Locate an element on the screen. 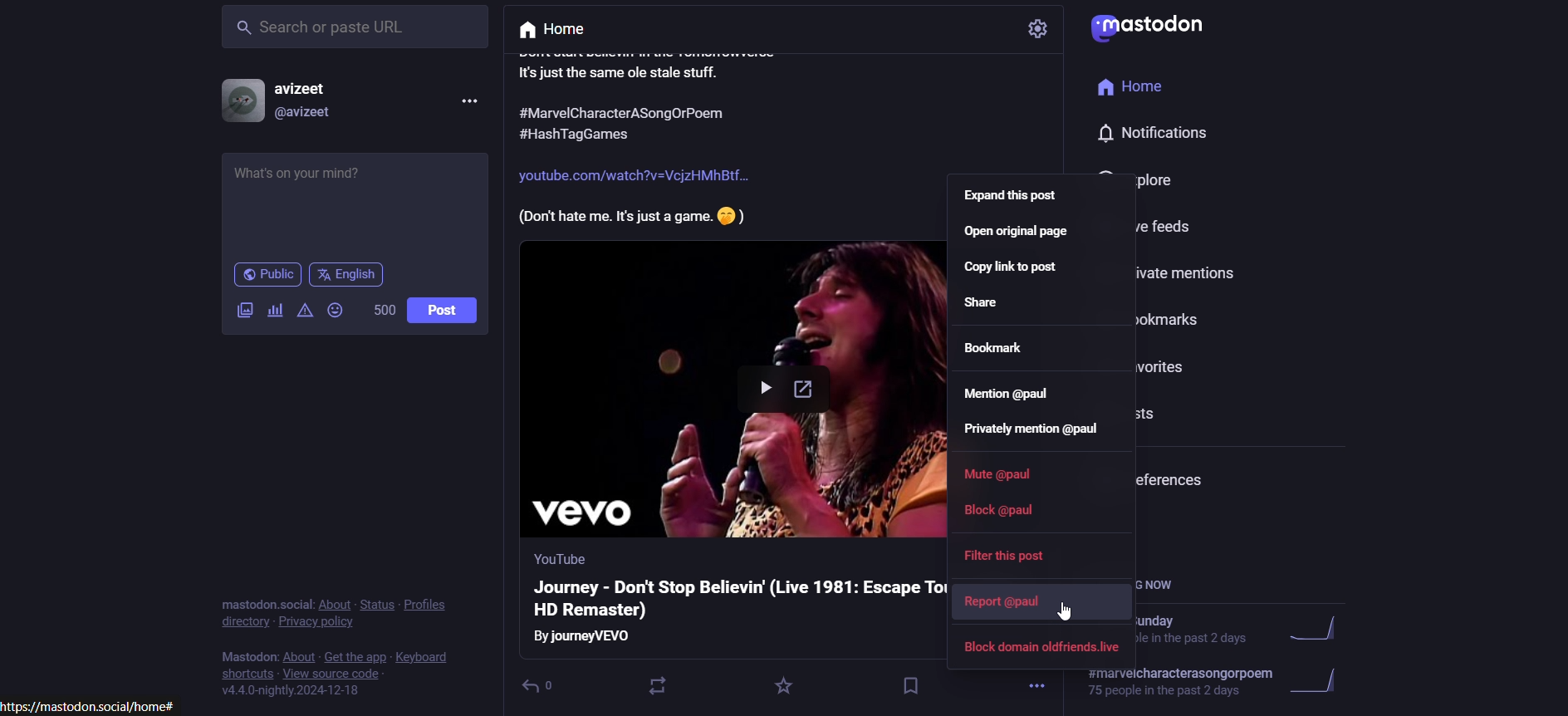  share is located at coordinates (987, 308).